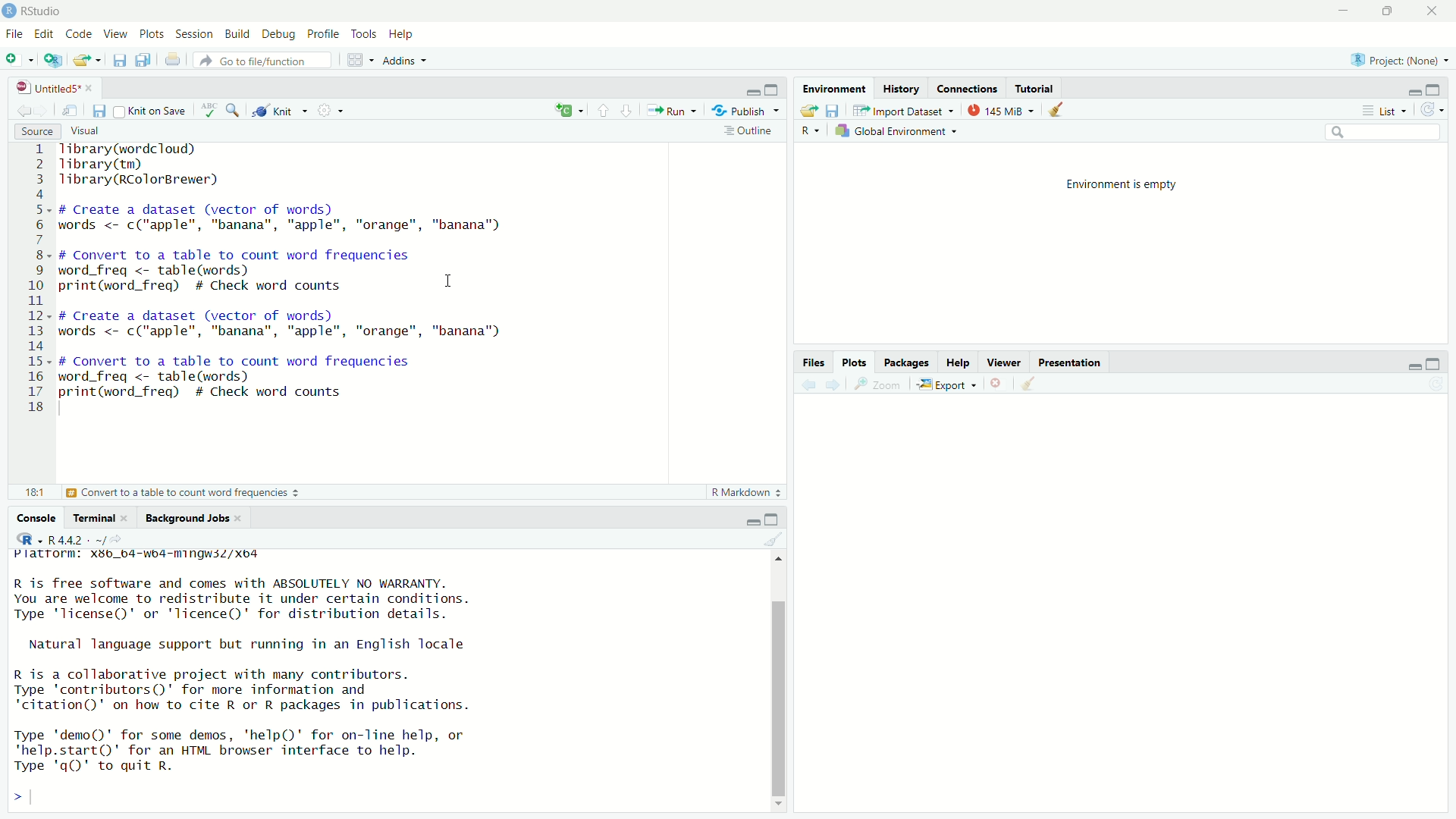 This screenshot has width=1456, height=819. Describe the element at coordinates (1403, 61) in the screenshot. I see `Project (name)` at that location.